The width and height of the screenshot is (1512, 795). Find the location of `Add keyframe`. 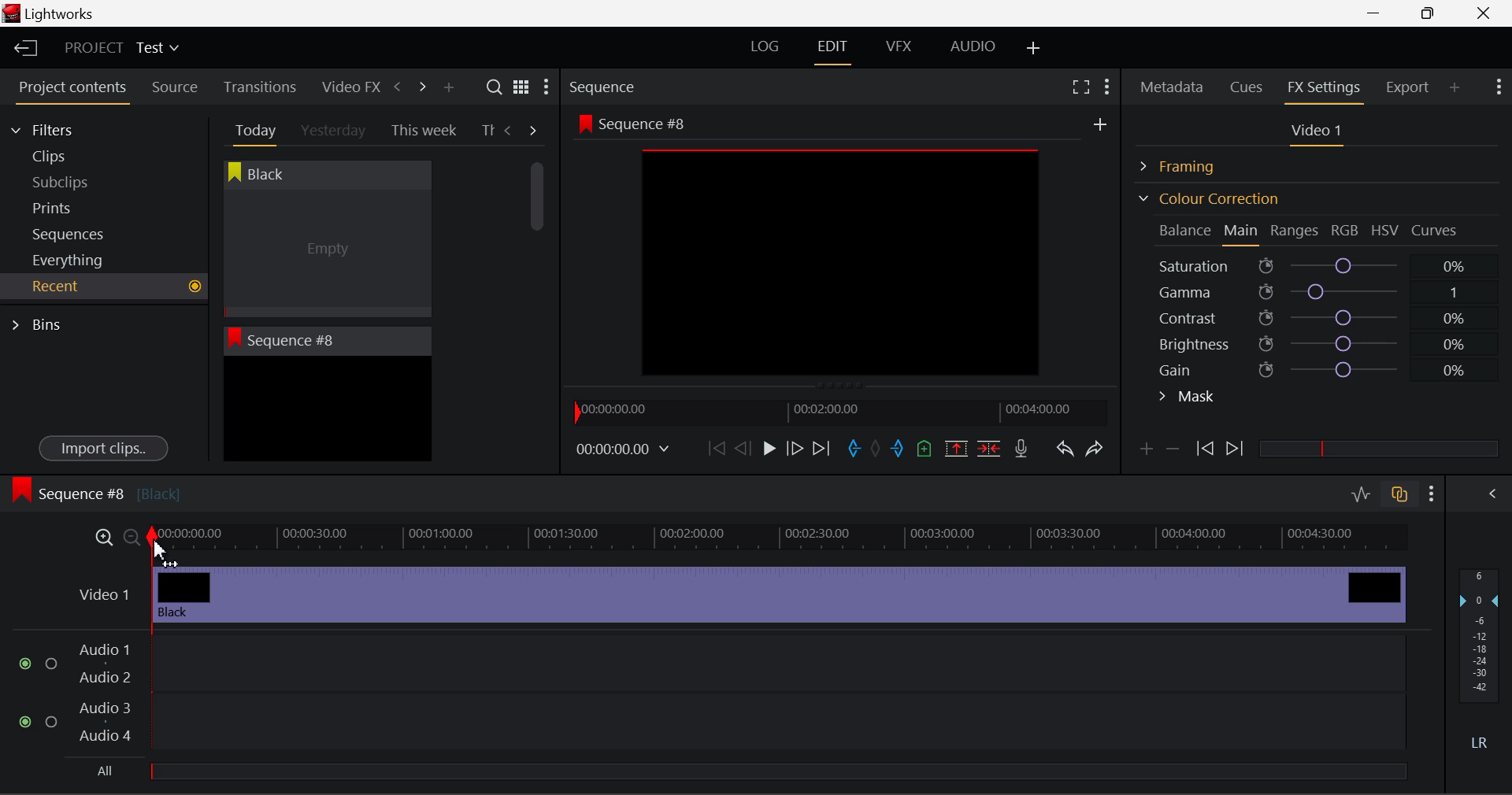

Add keyframe is located at coordinates (1143, 452).